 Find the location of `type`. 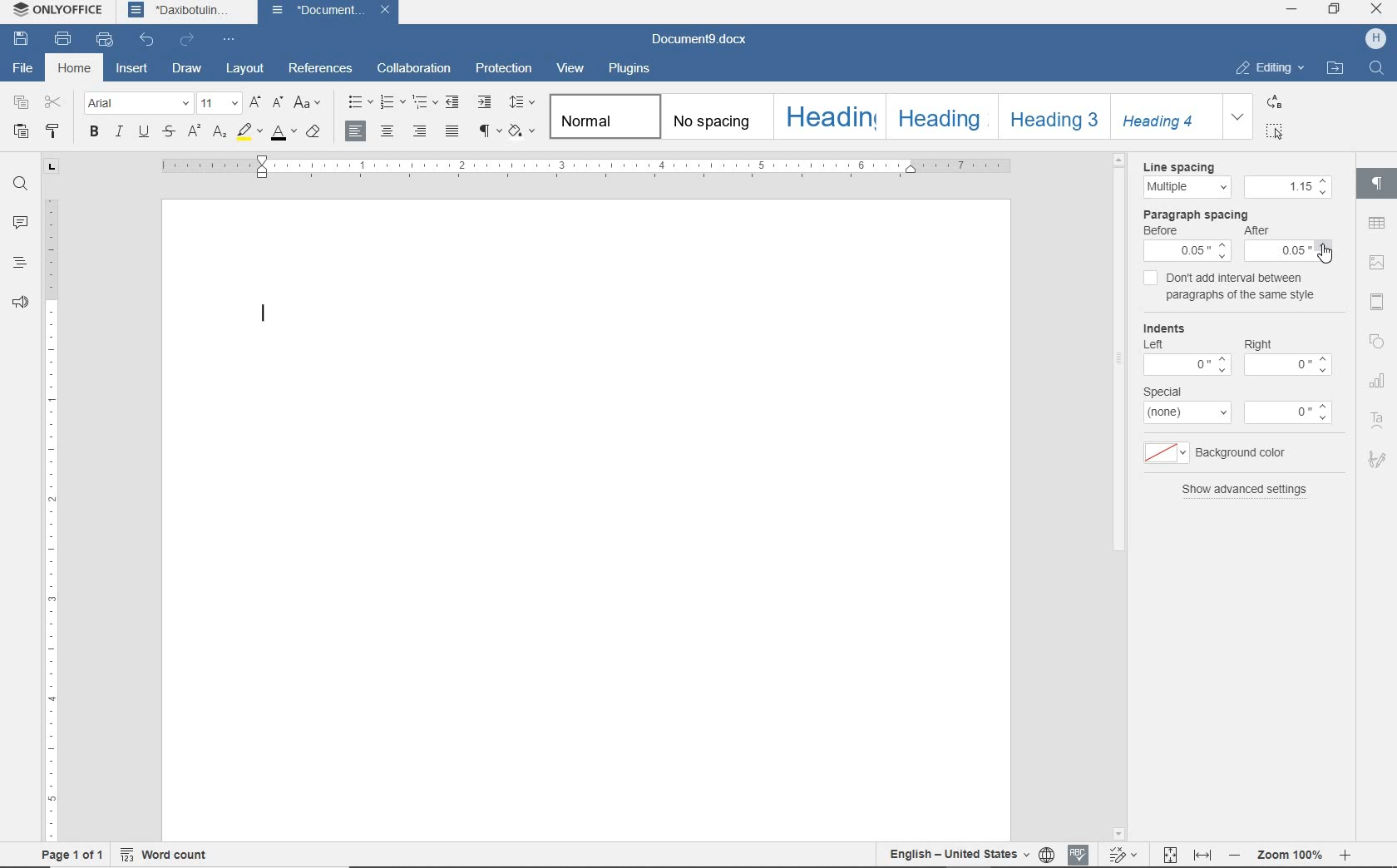

type is located at coordinates (1188, 412).